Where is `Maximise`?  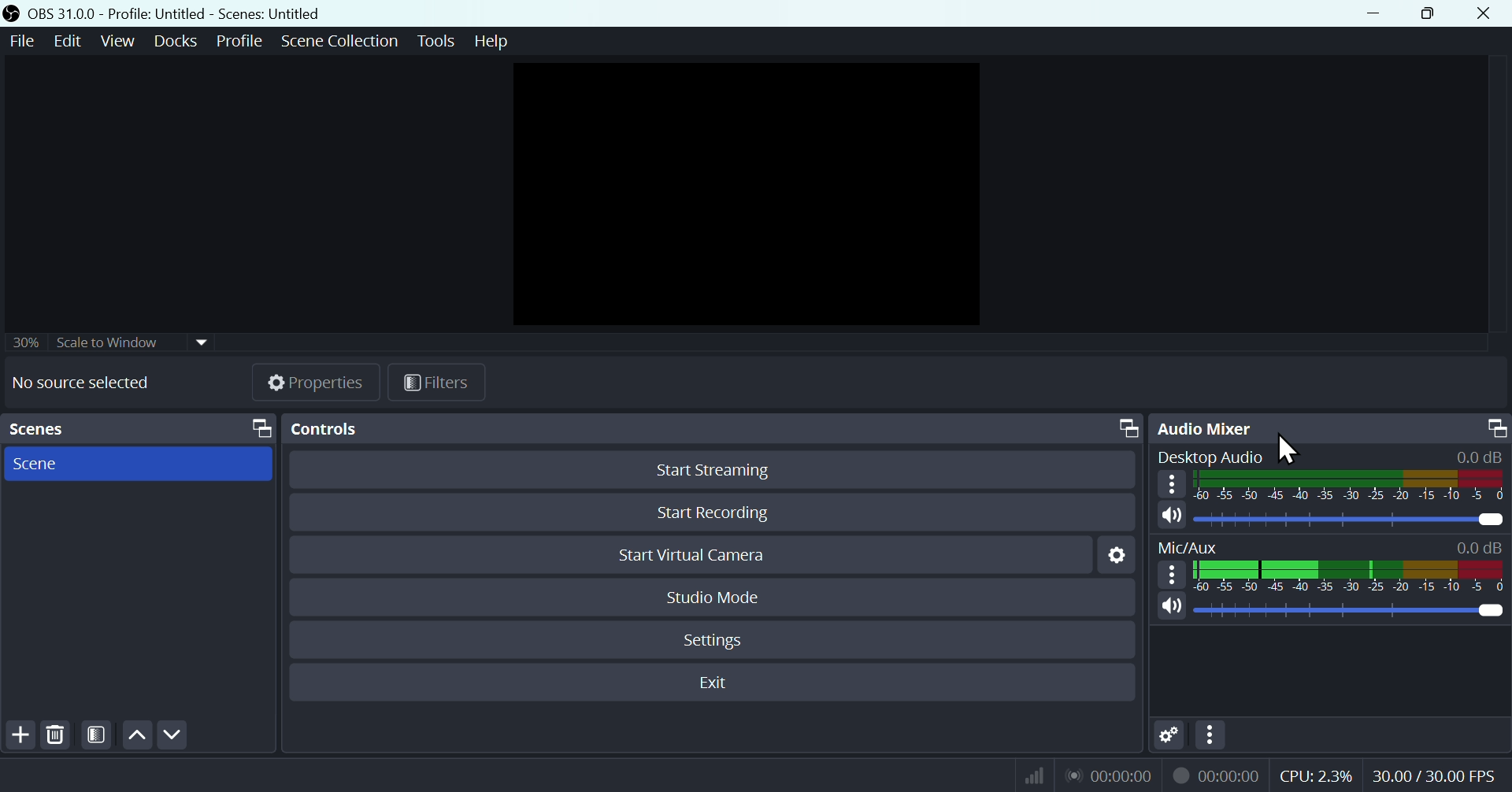 Maximise is located at coordinates (1434, 14).